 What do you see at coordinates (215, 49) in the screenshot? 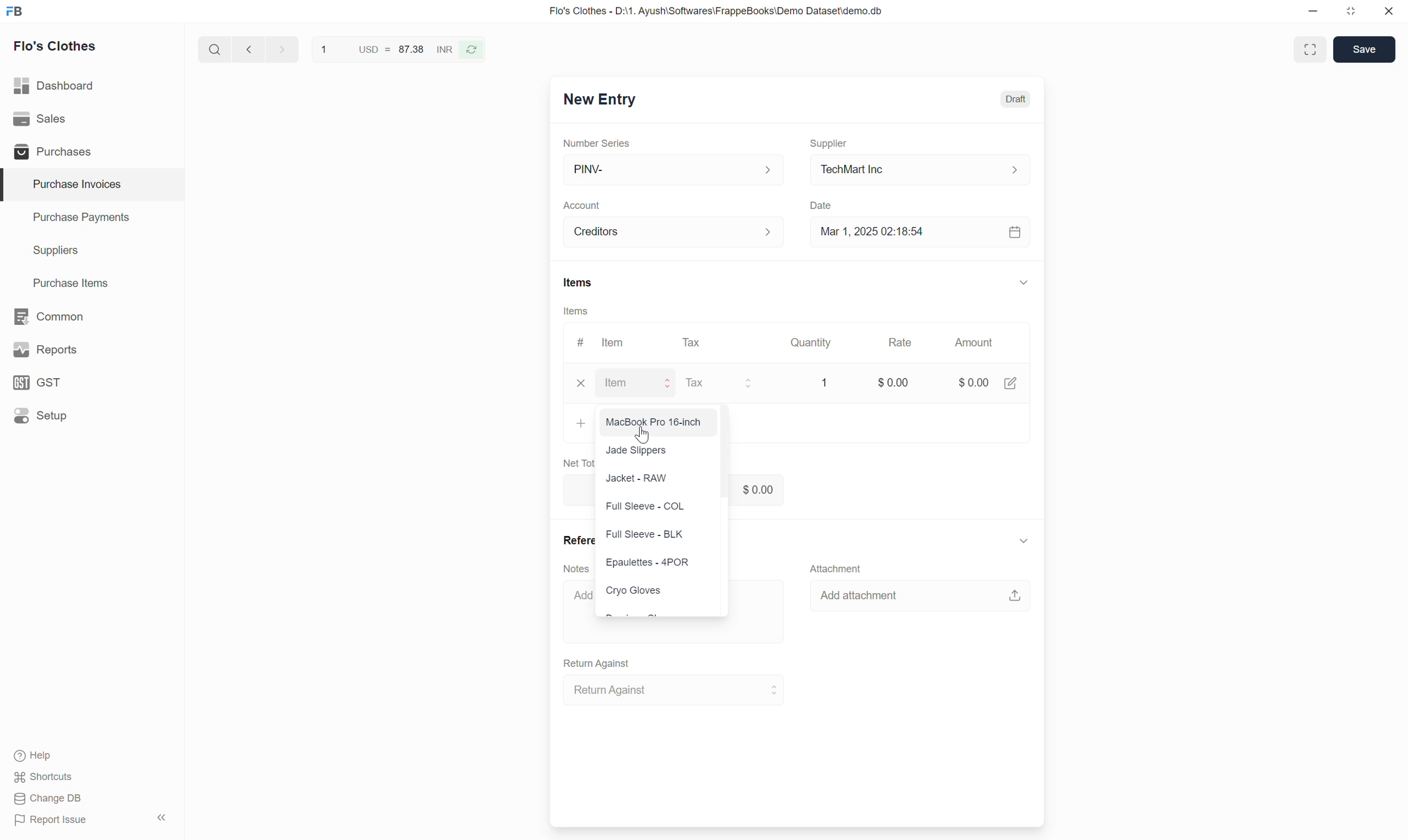
I see `Search` at bounding box center [215, 49].